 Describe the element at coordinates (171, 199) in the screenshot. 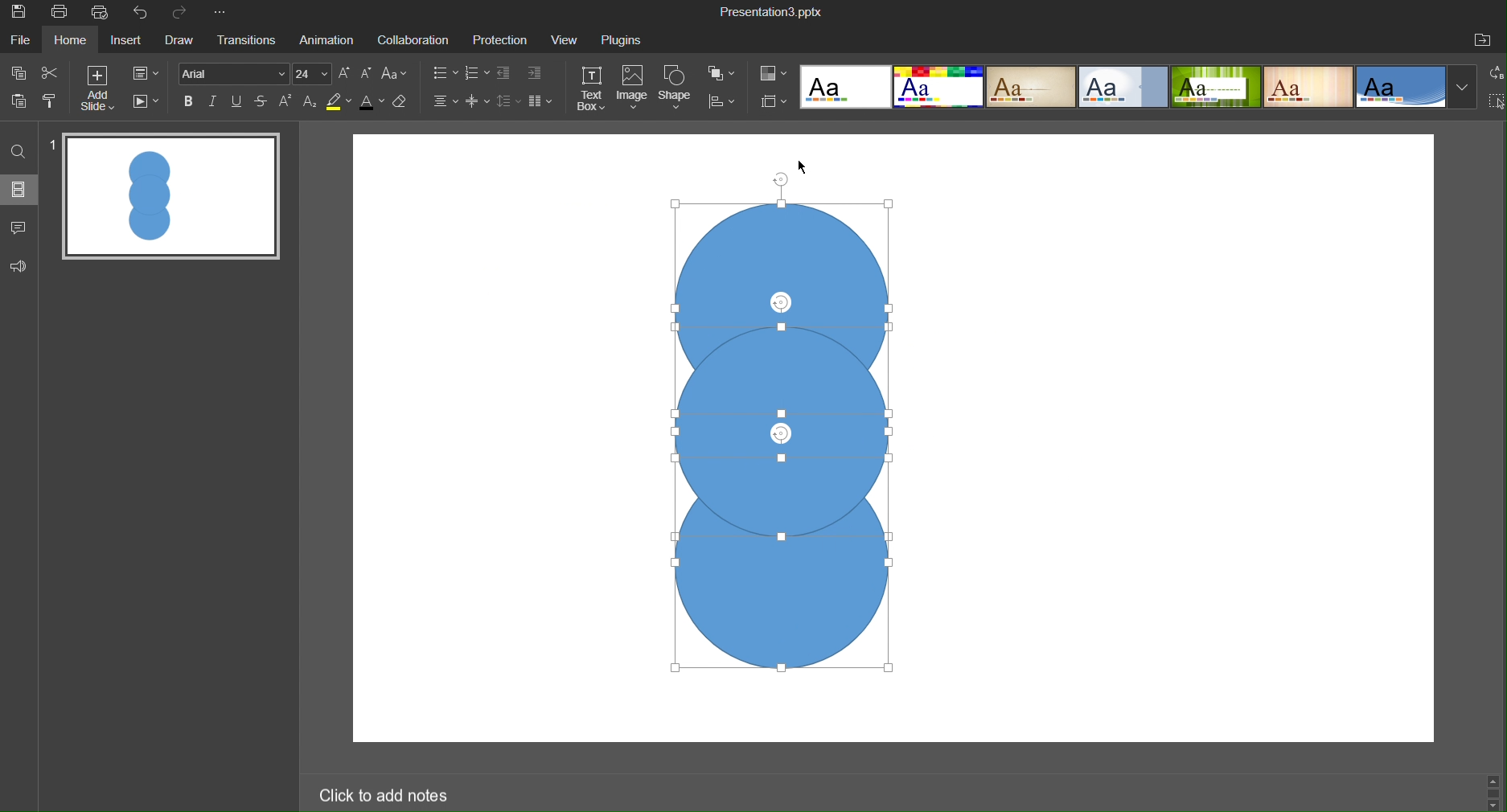

I see `Slide 1` at that location.